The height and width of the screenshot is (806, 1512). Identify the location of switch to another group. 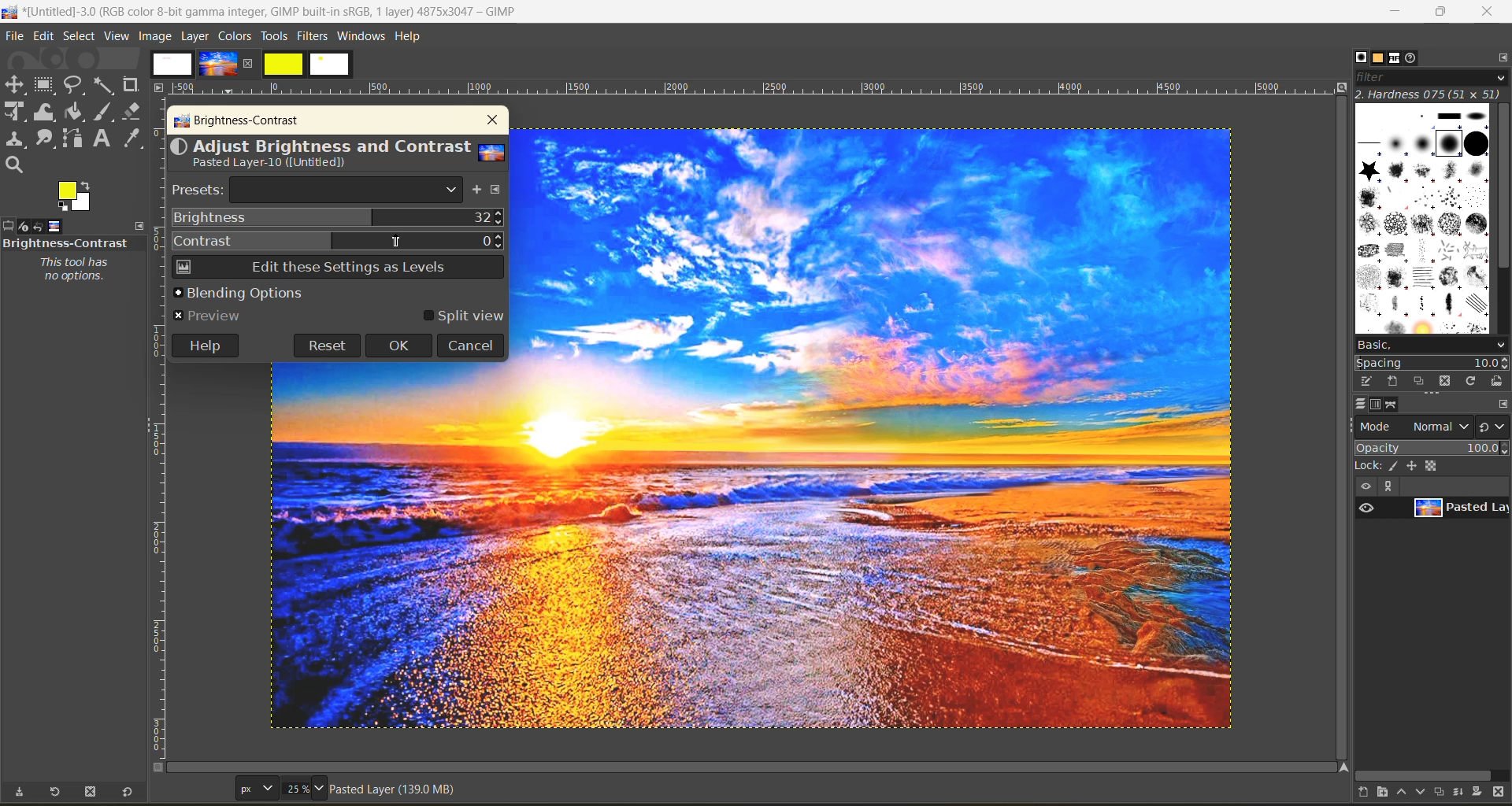
(1494, 430).